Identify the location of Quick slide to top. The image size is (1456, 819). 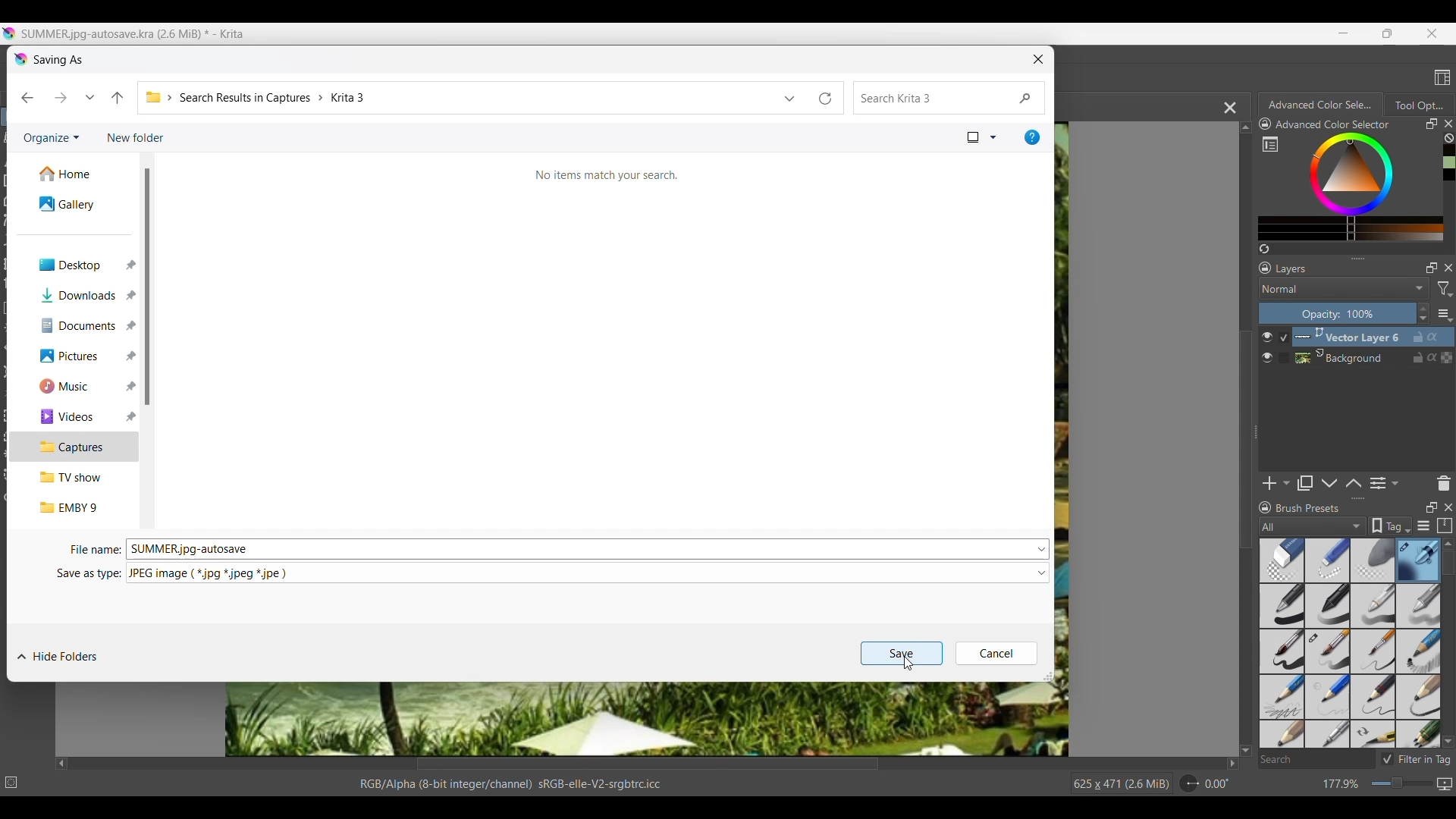
(1245, 127).